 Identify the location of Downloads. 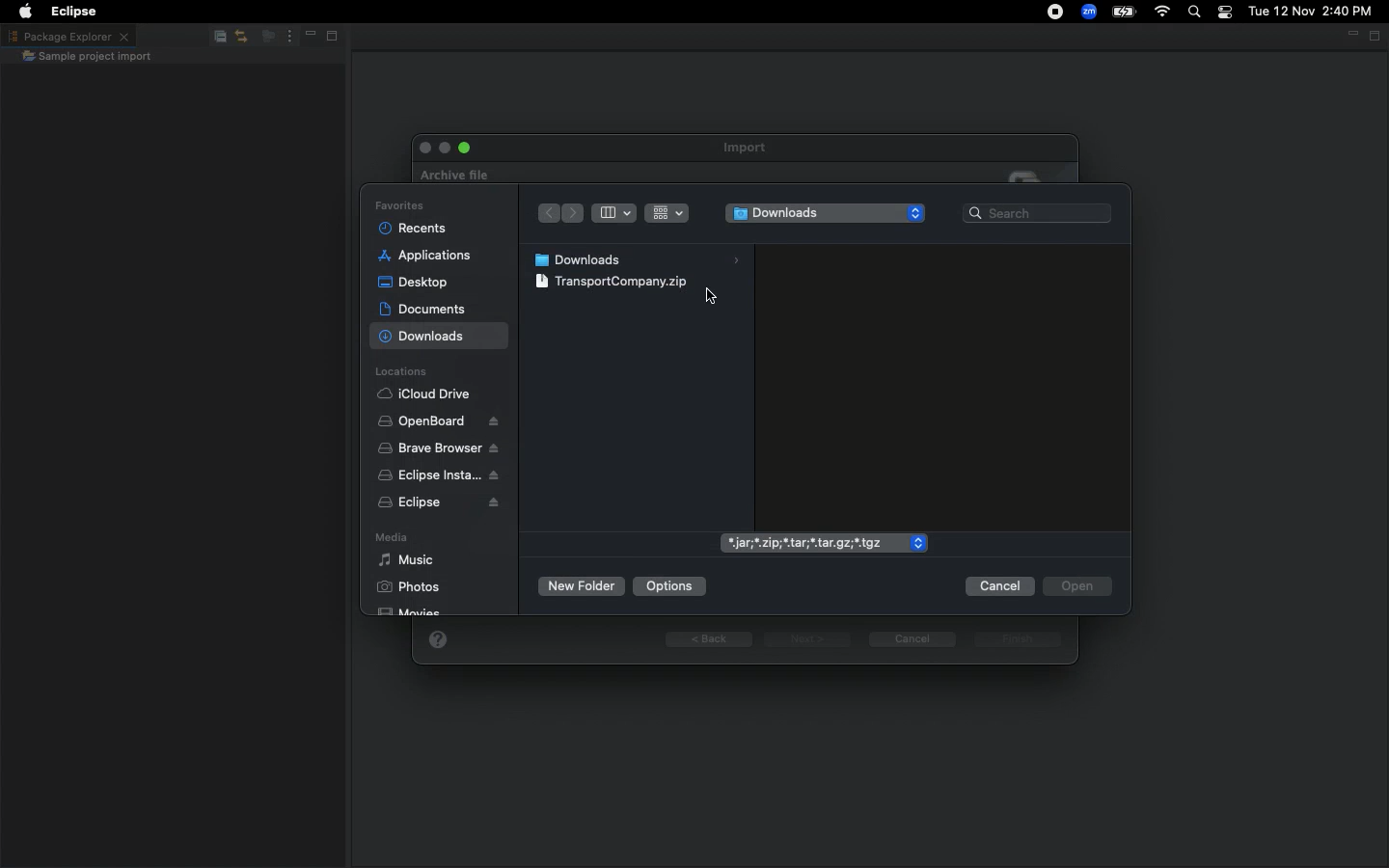
(824, 214).